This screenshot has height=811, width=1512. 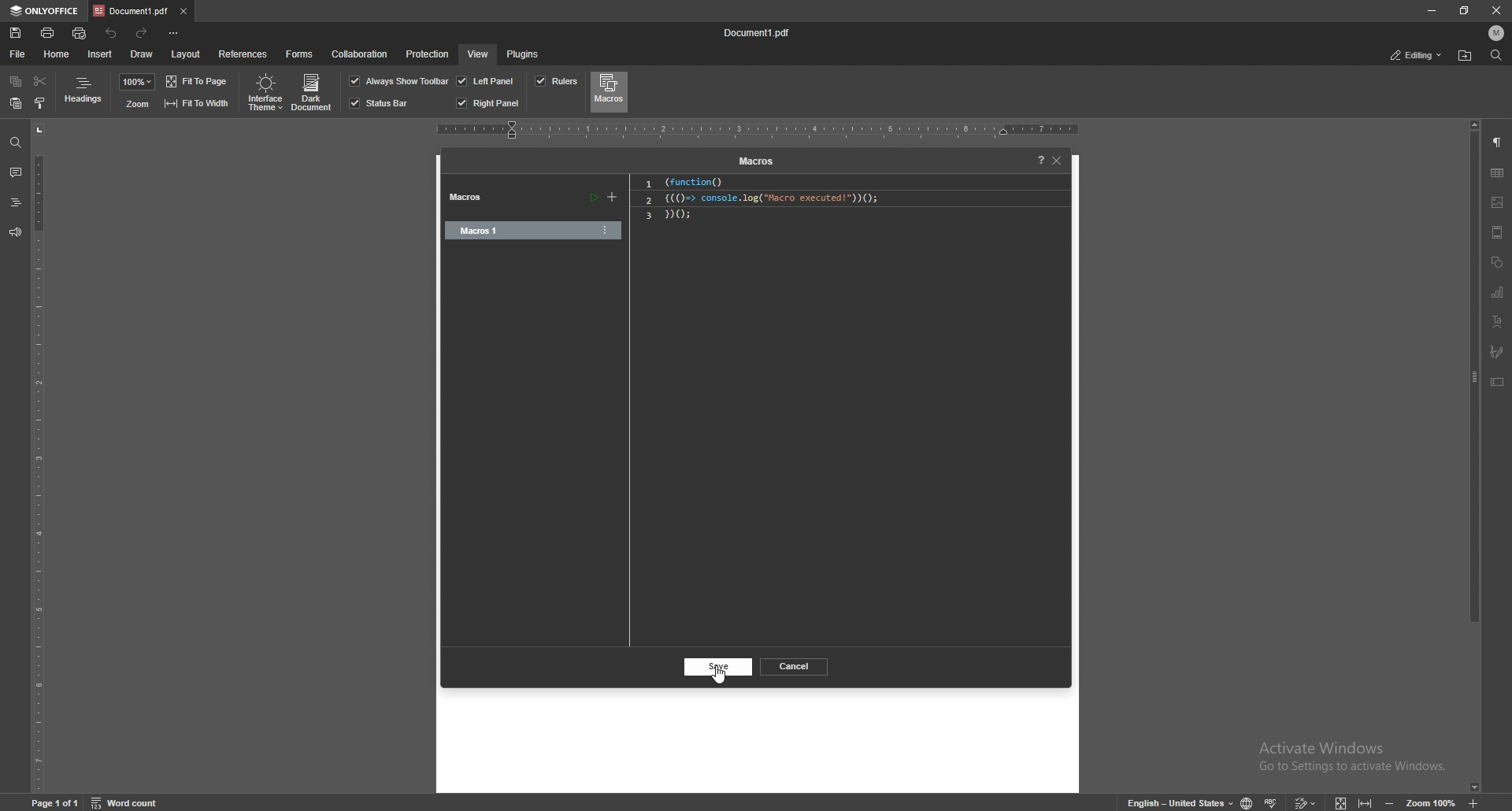 I want to click on left panel, so click(x=486, y=80).